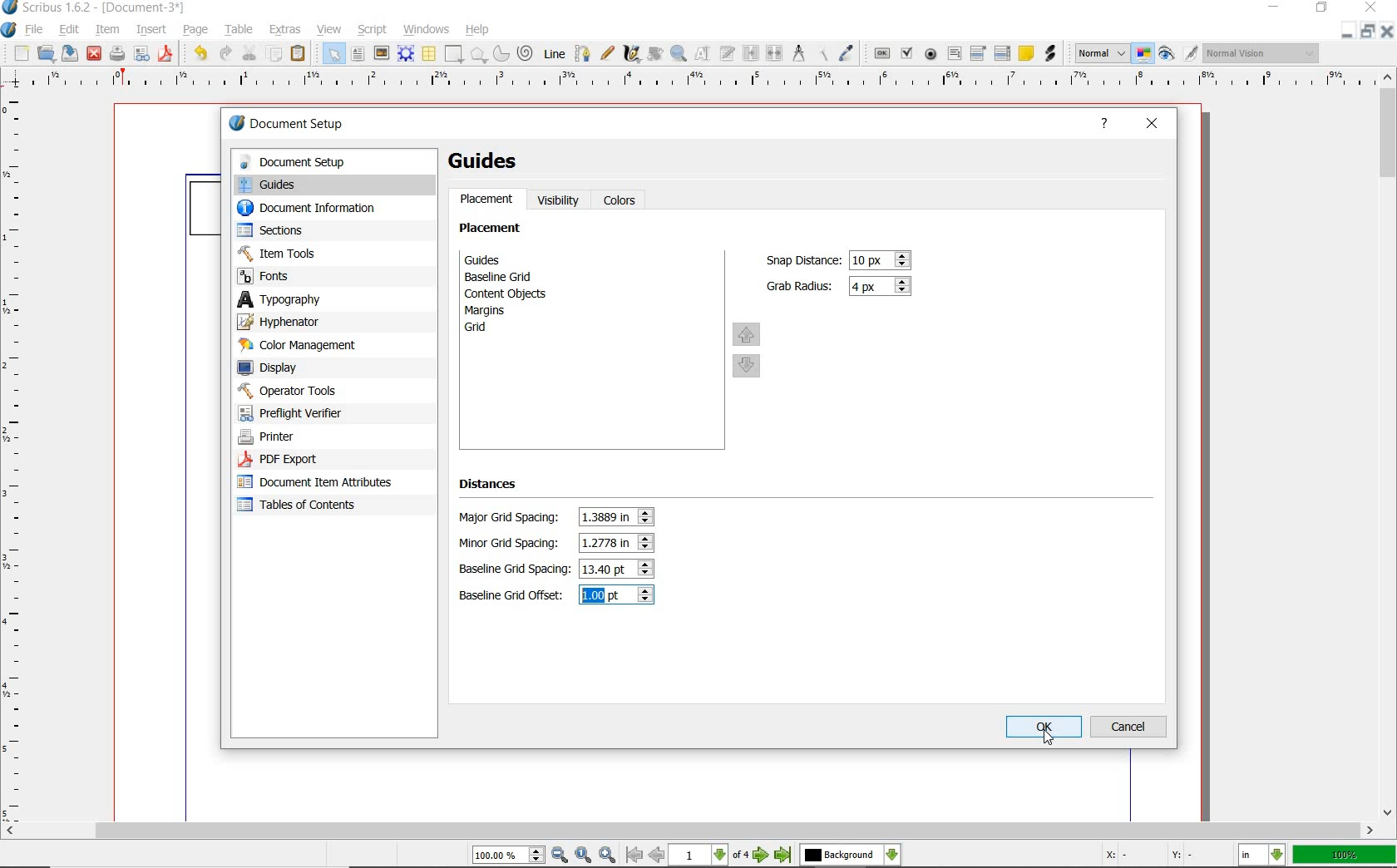 The height and width of the screenshot is (868, 1397). Describe the element at coordinates (801, 260) in the screenshot. I see `Snap Distance:` at that location.